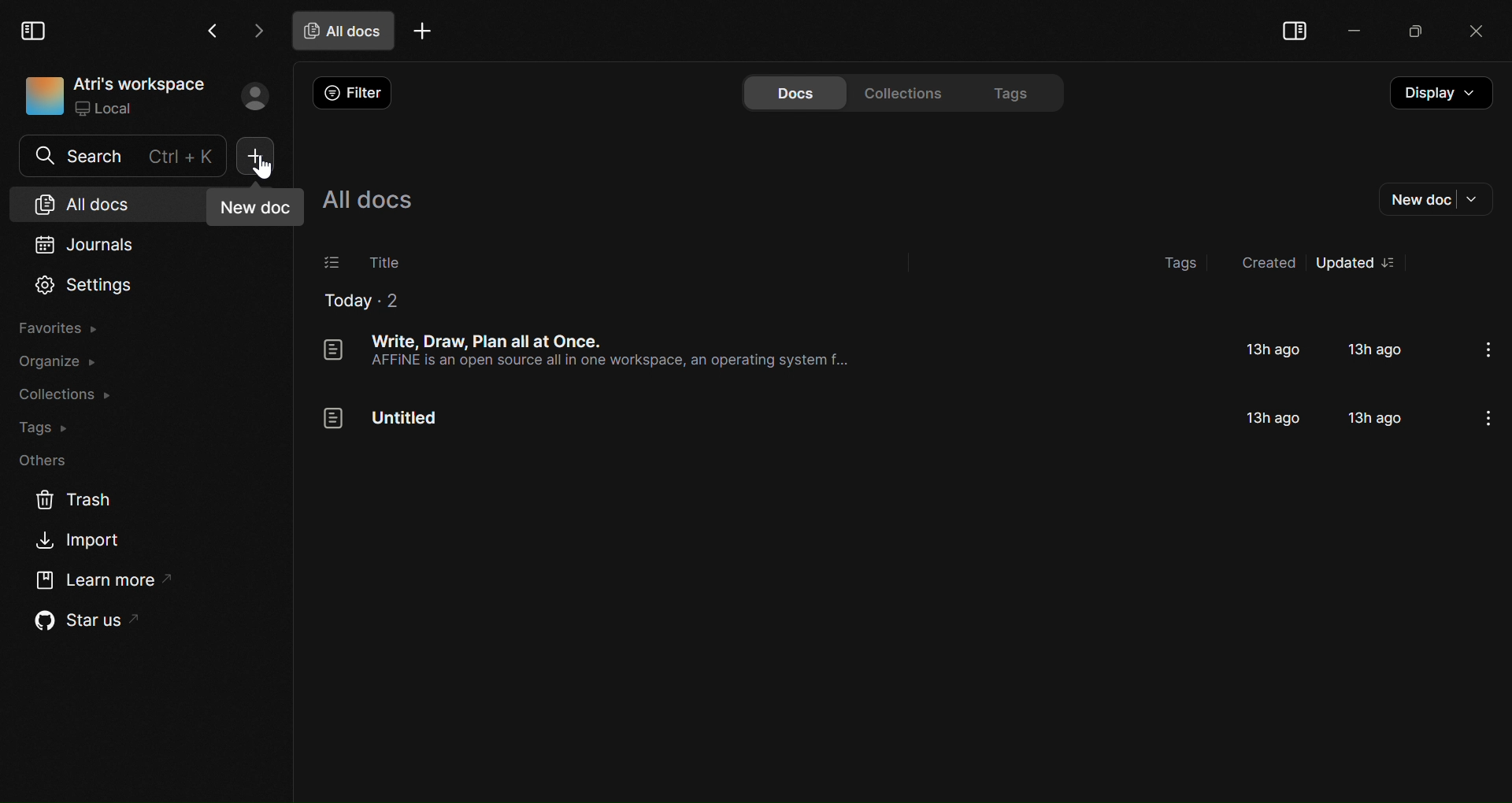  Describe the element at coordinates (65, 362) in the screenshot. I see `Organize` at that location.